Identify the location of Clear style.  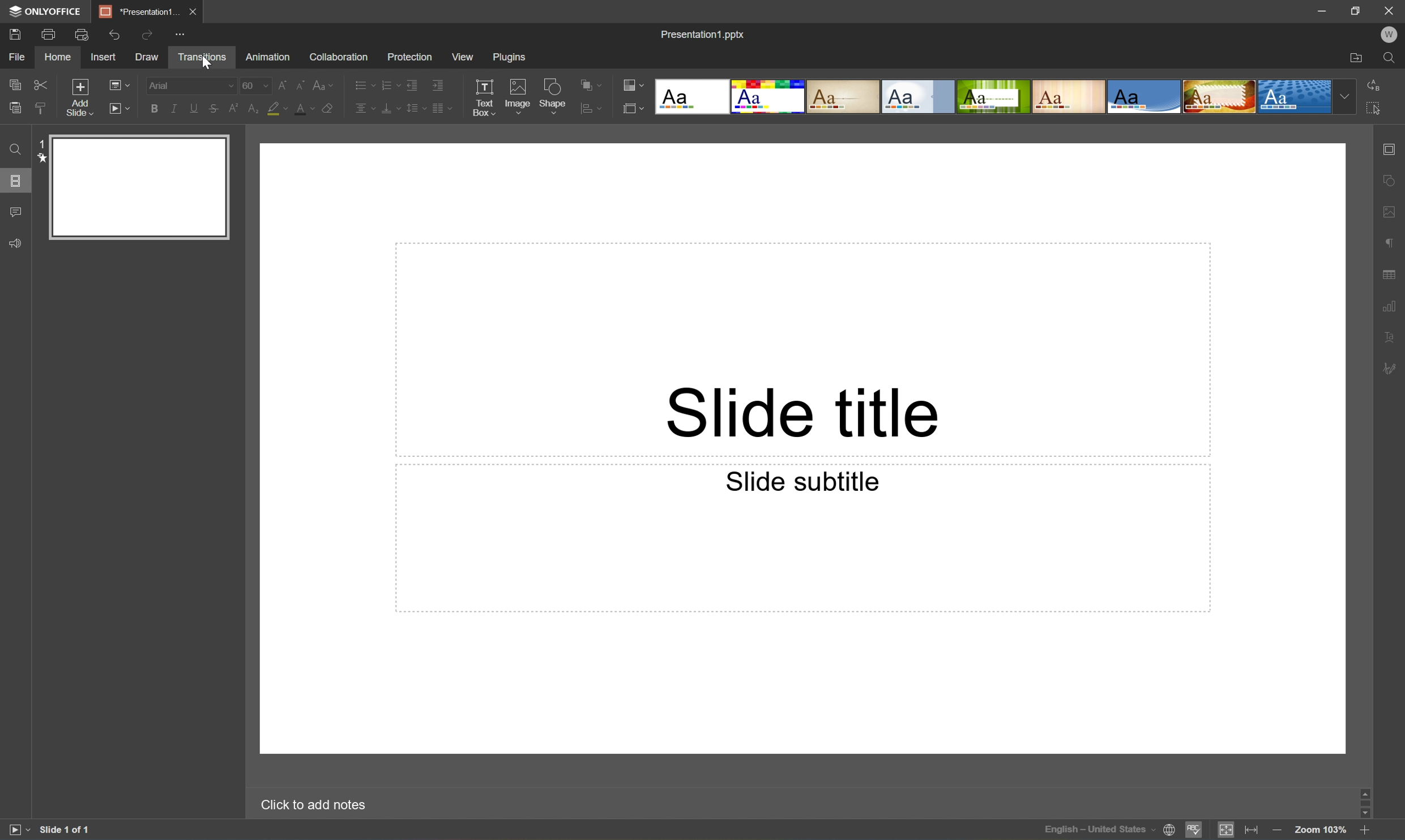
(328, 108).